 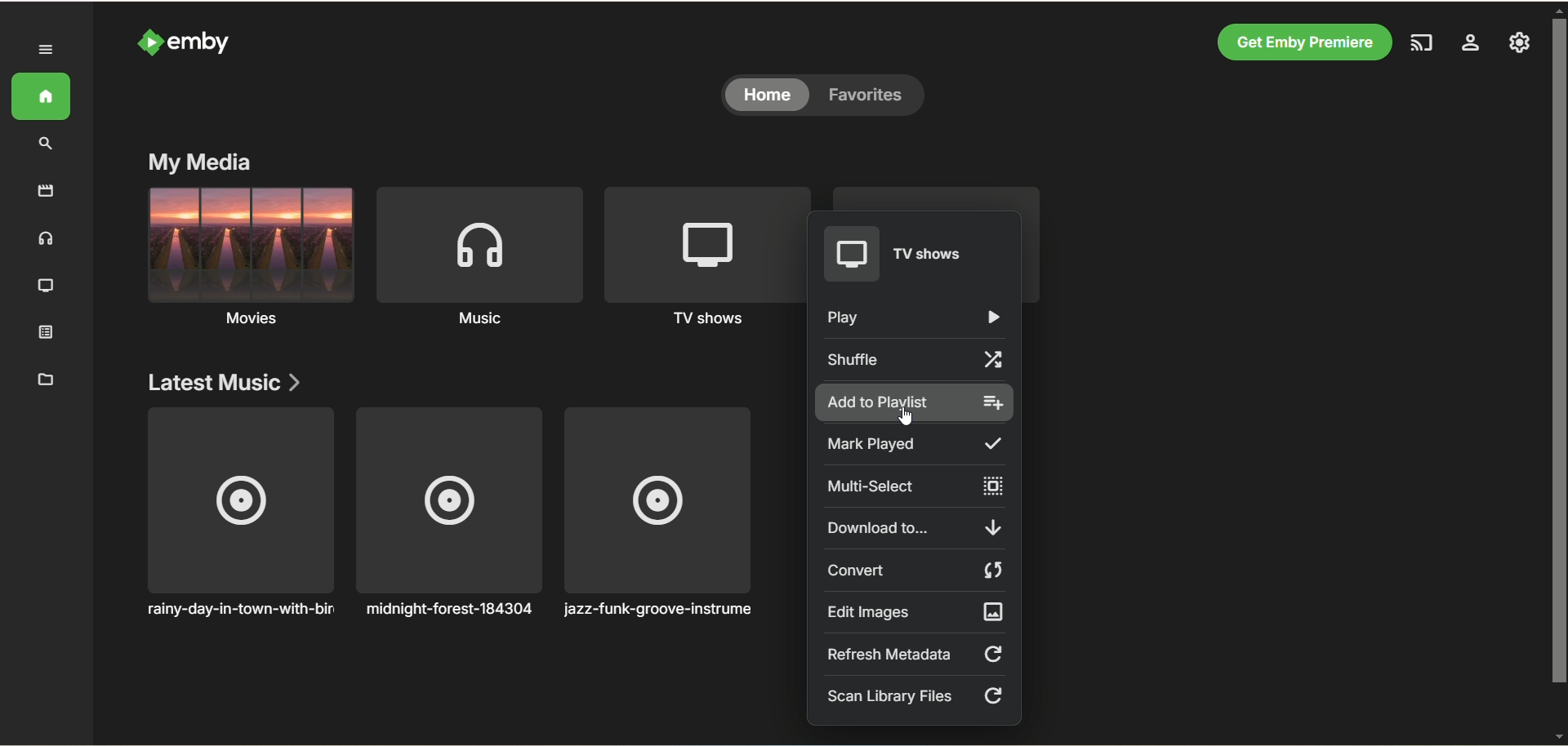 I want to click on Music, so click(x=478, y=262).